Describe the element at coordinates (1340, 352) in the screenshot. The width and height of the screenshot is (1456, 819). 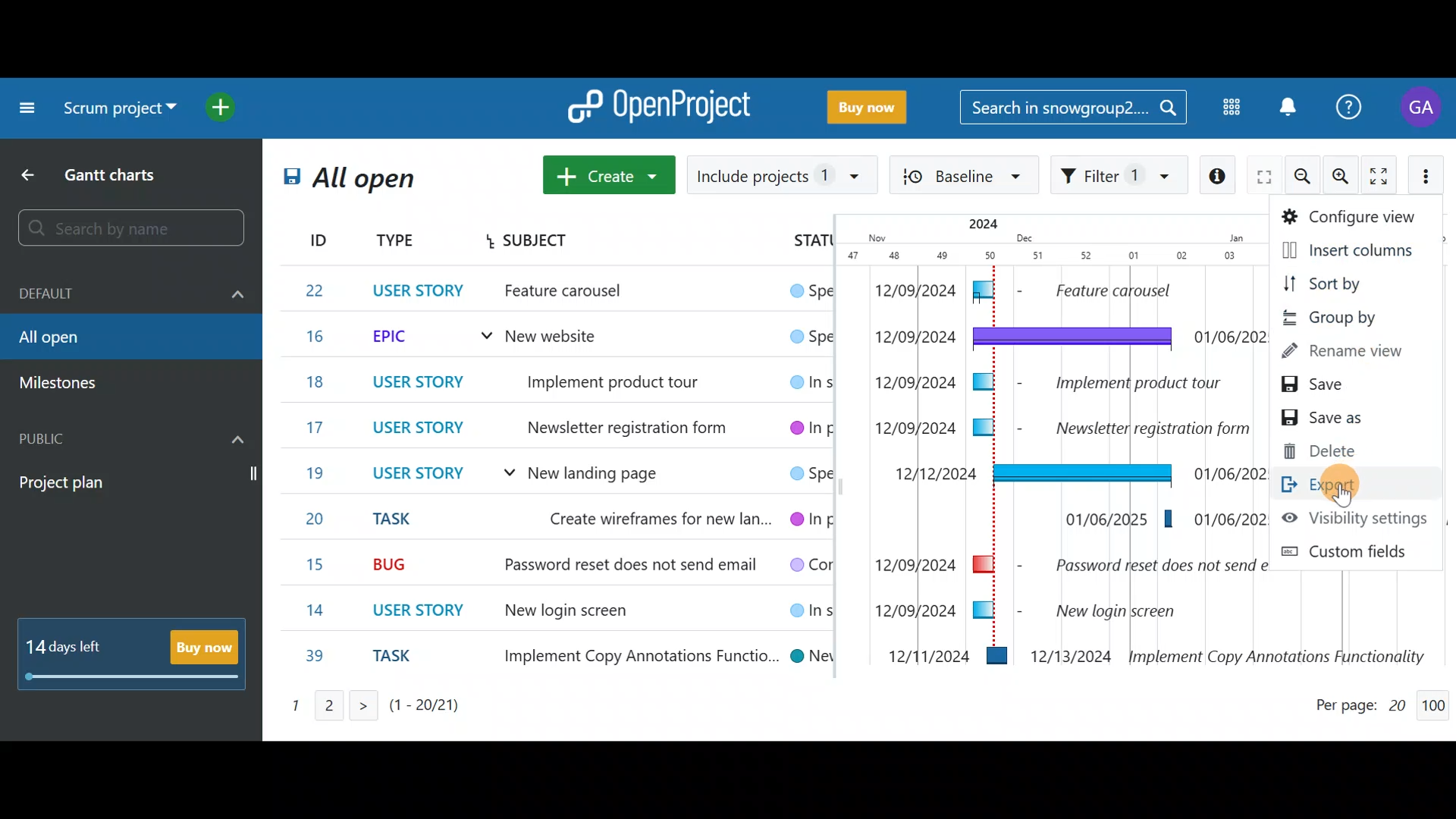
I see `Rename view` at that location.